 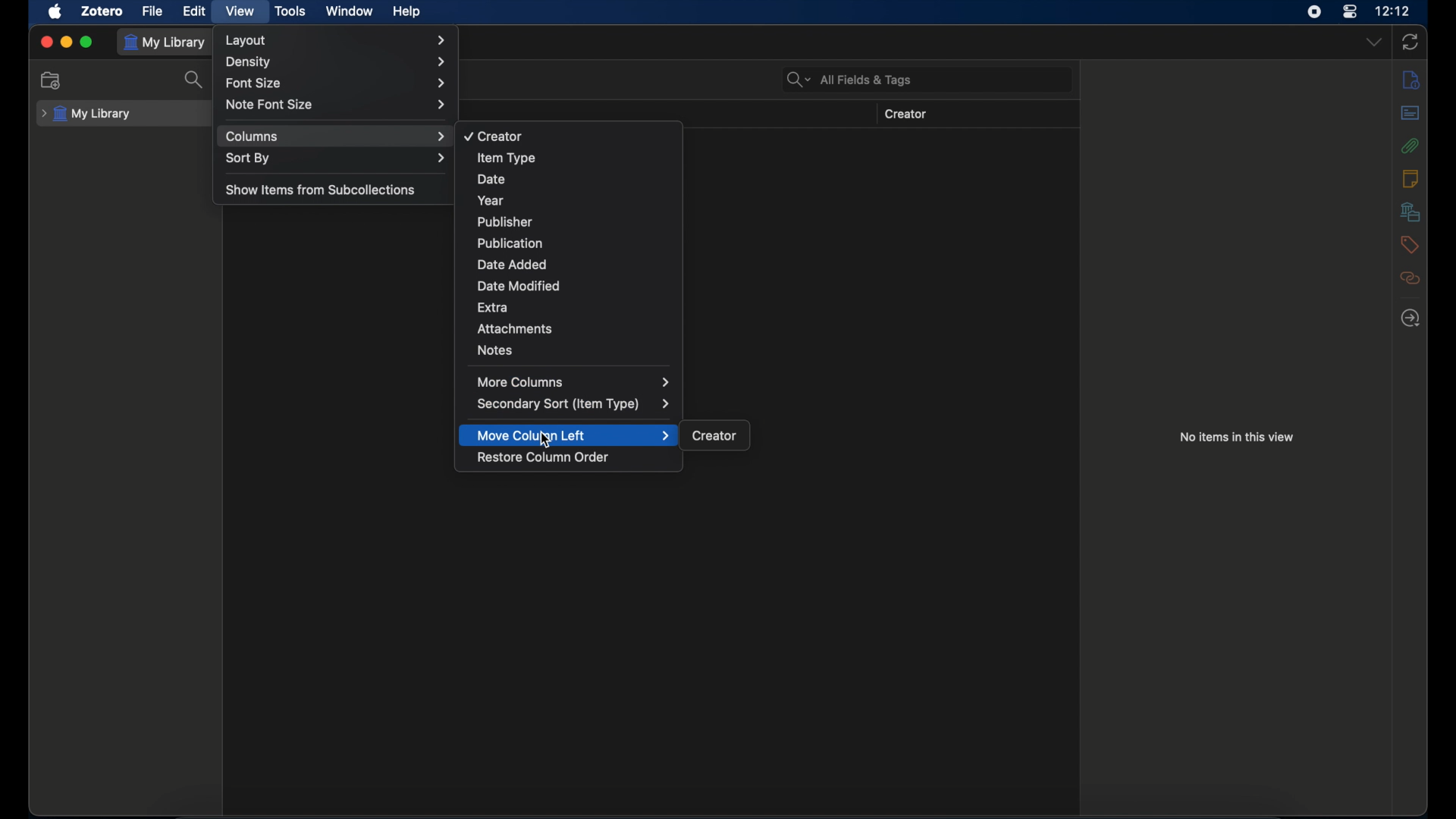 What do you see at coordinates (520, 286) in the screenshot?
I see `date modified` at bounding box center [520, 286].